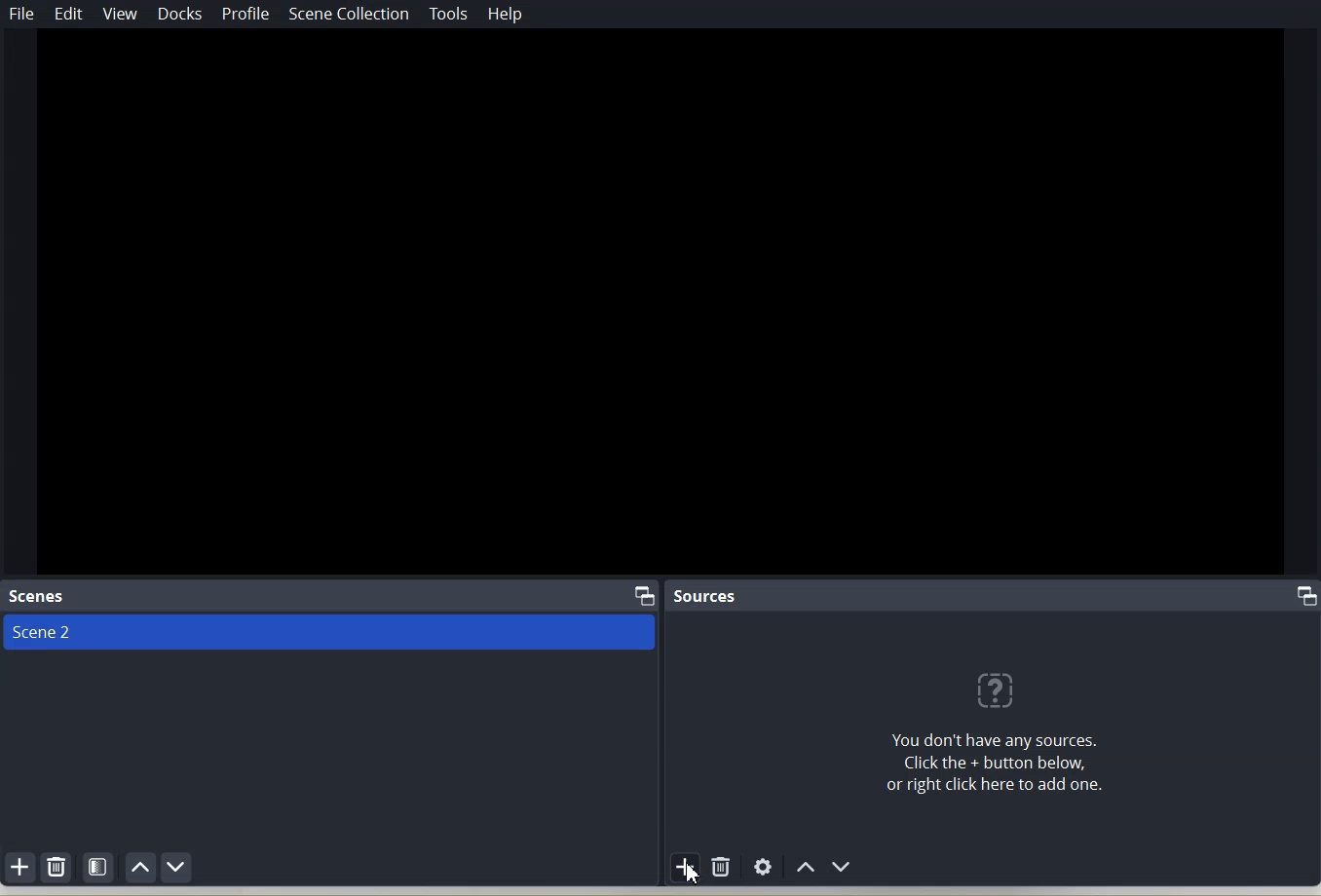 The width and height of the screenshot is (1321, 896). Describe the element at coordinates (39, 596) in the screenshot. I see `scenes` at that location.